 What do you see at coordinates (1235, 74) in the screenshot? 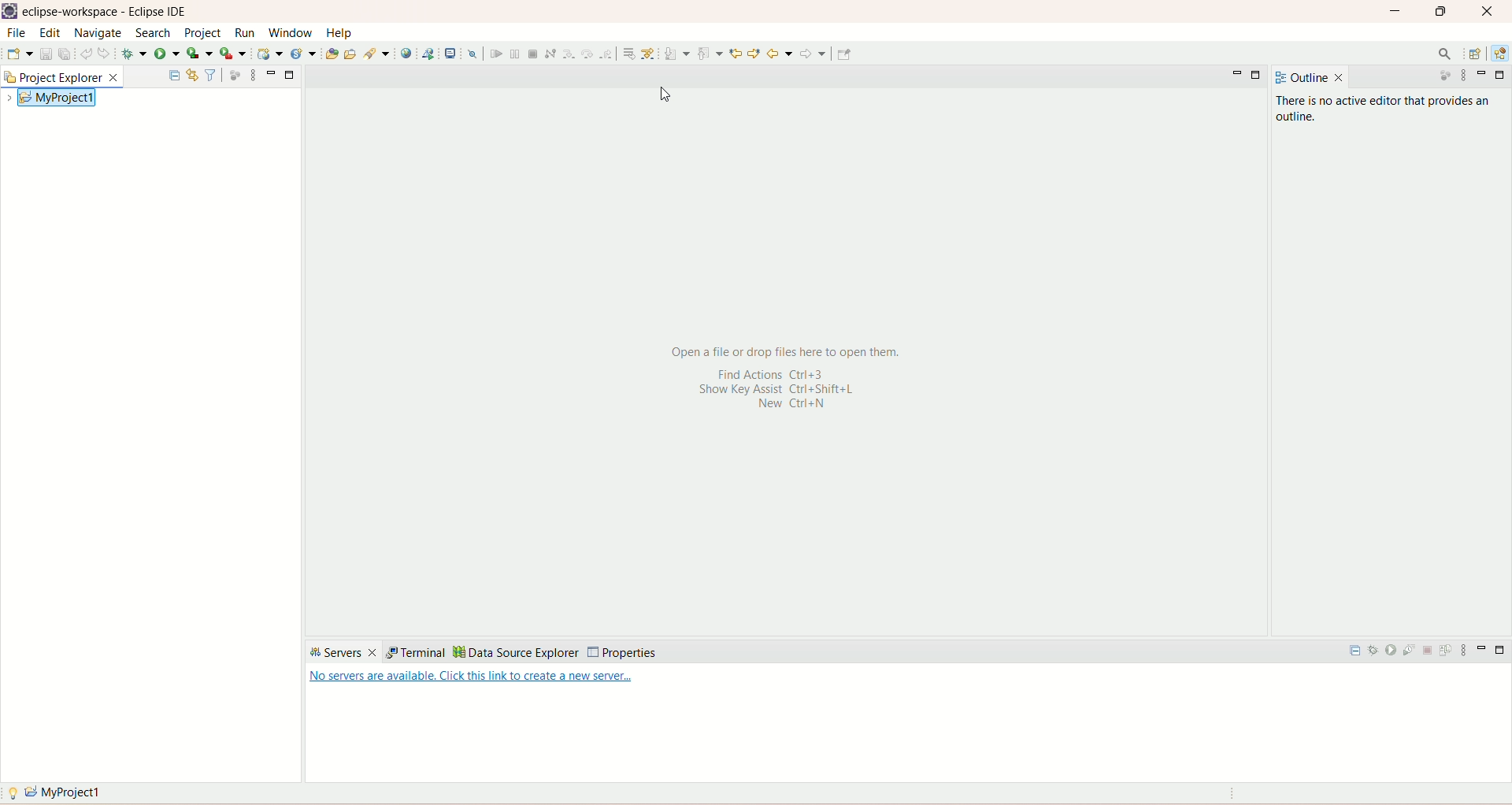
I see `minimize` at bounding box center [1235, 74].